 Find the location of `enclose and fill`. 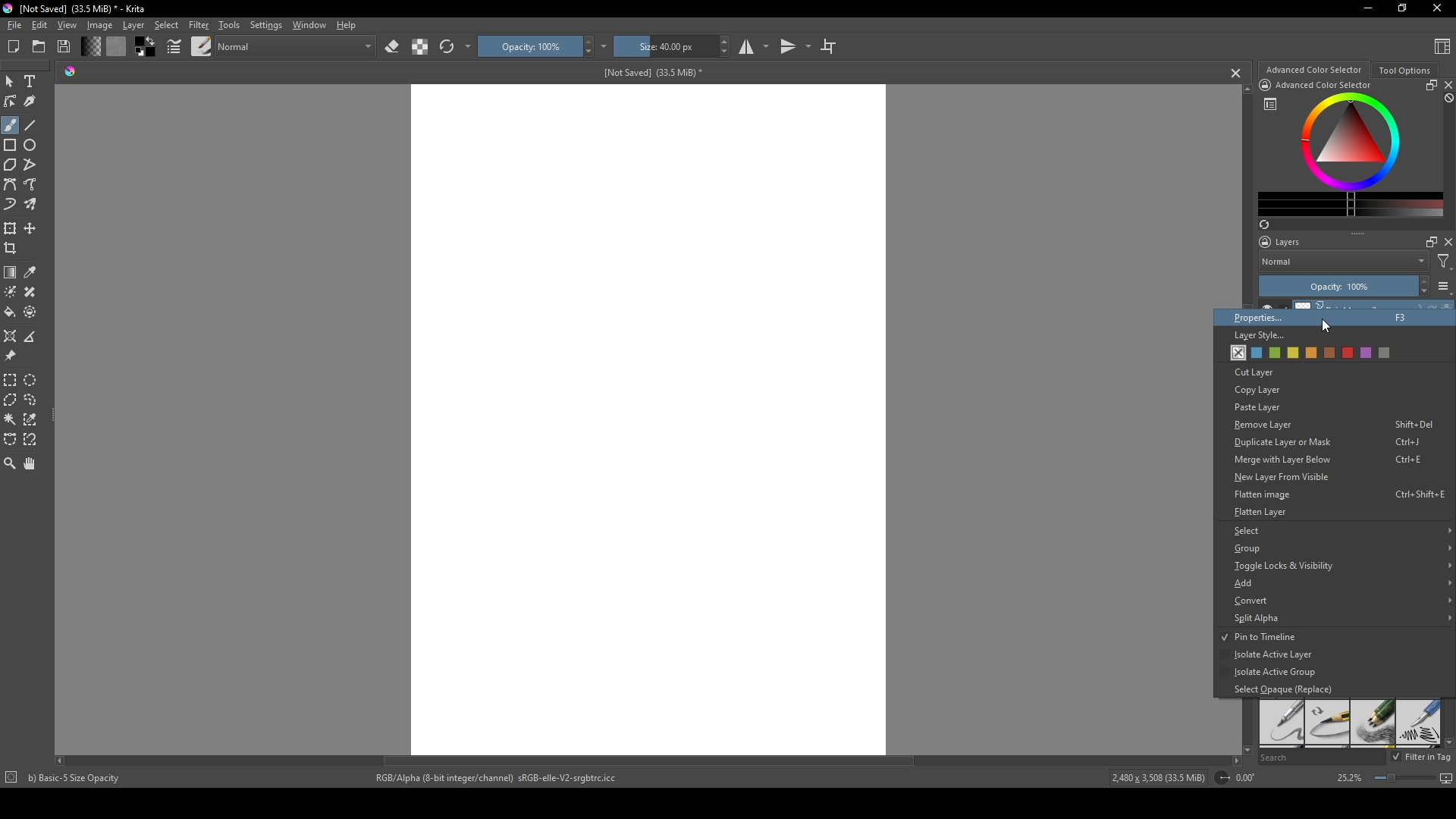

enclose and fill is located at coordinates (32, 312).